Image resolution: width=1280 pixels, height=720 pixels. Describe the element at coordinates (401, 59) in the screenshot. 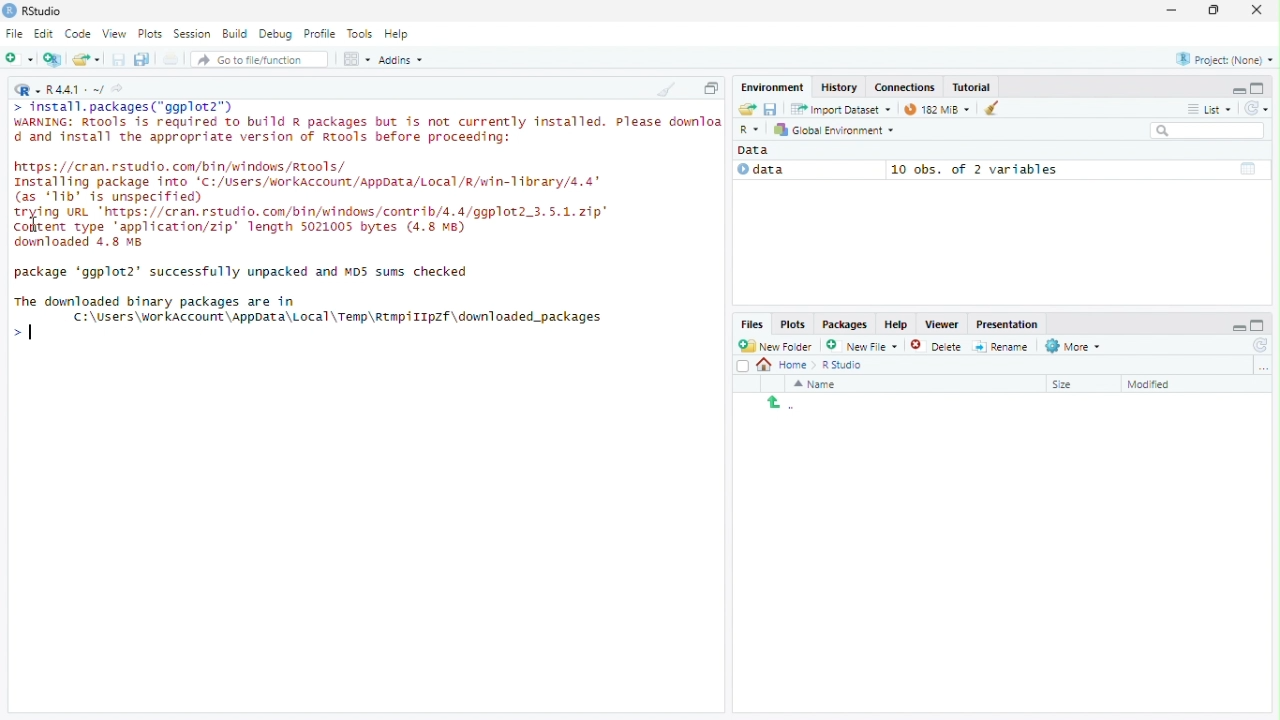

I see `Addins` at that location.